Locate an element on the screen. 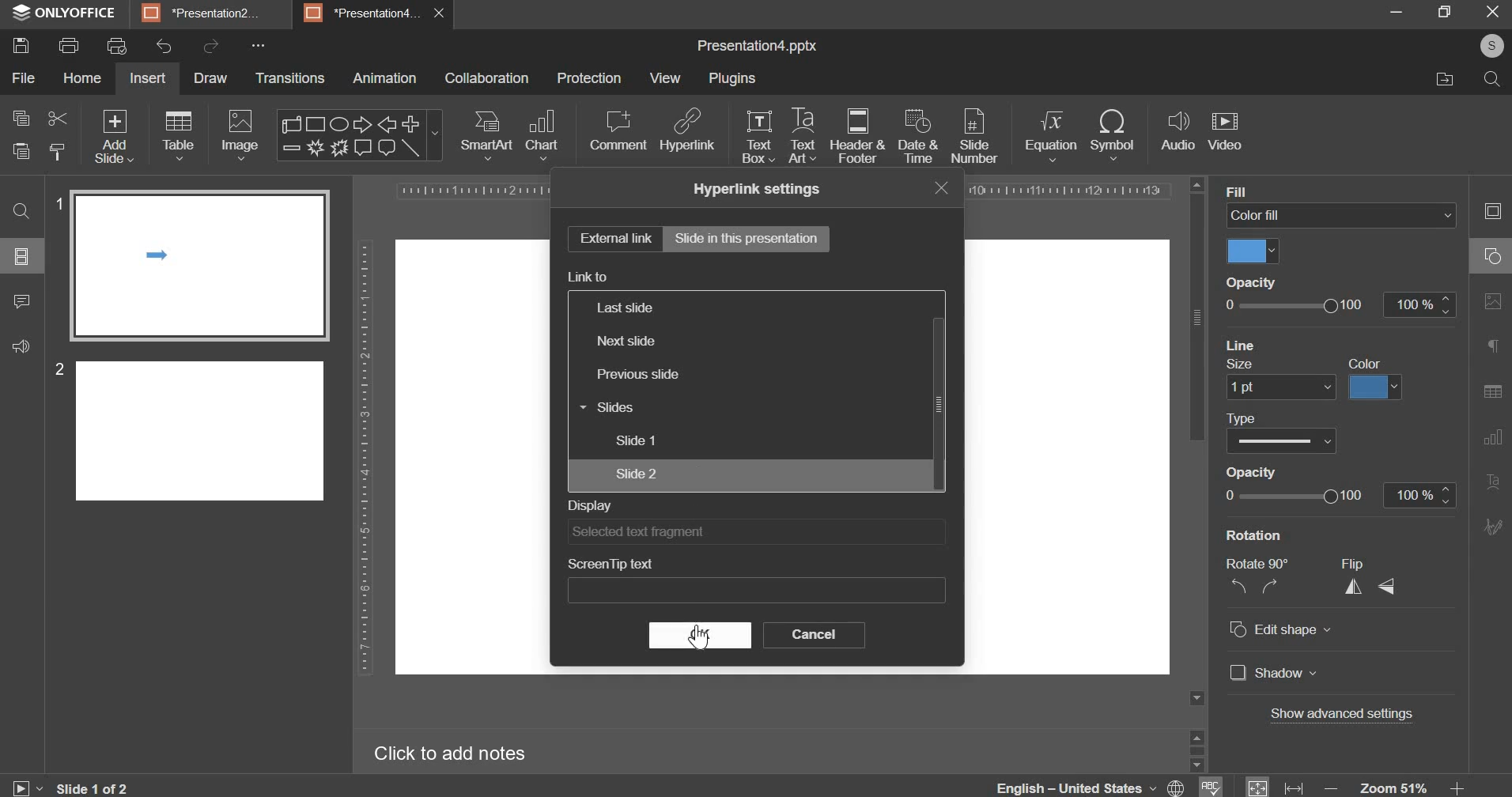 The height and width of the screenshot is (797, 1512). shapes is located at coordinates (359, 134).